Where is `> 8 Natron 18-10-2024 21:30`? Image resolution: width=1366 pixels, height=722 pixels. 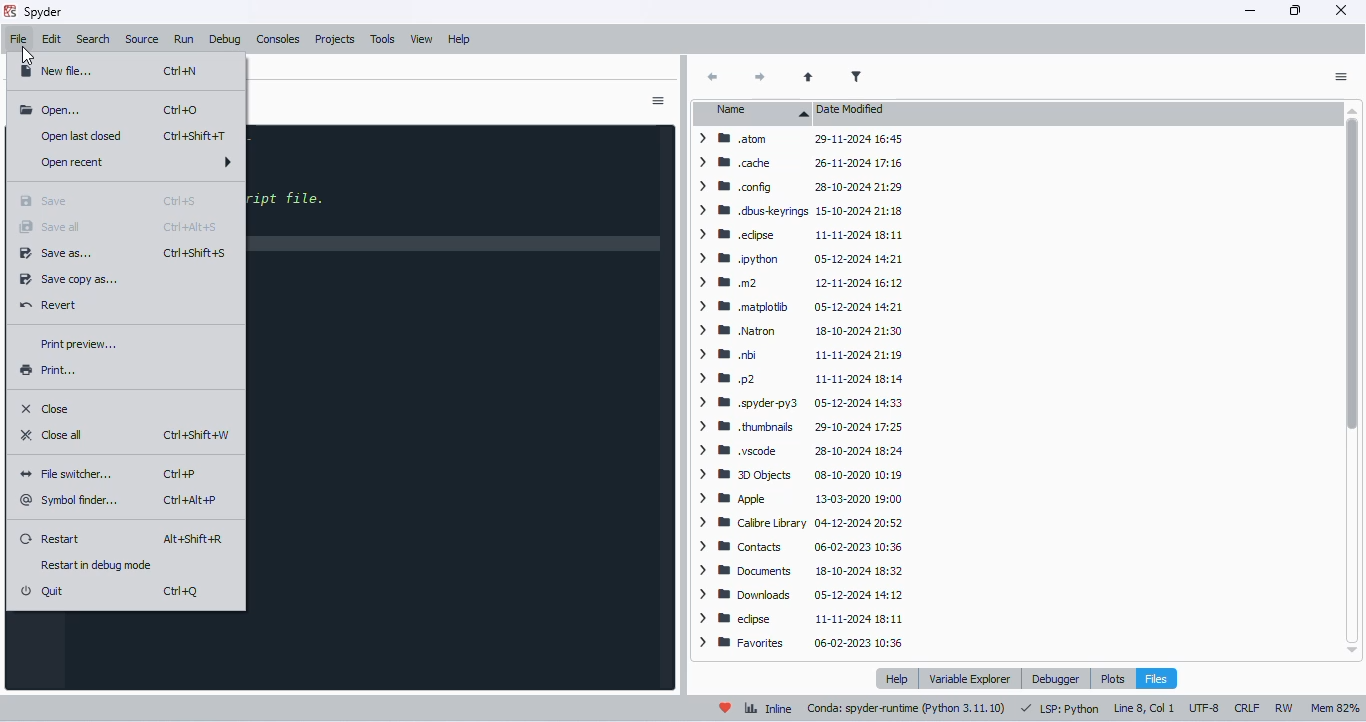 > 8 Natron 18-10-2024 21:30 is located at coordinates (798, 332).